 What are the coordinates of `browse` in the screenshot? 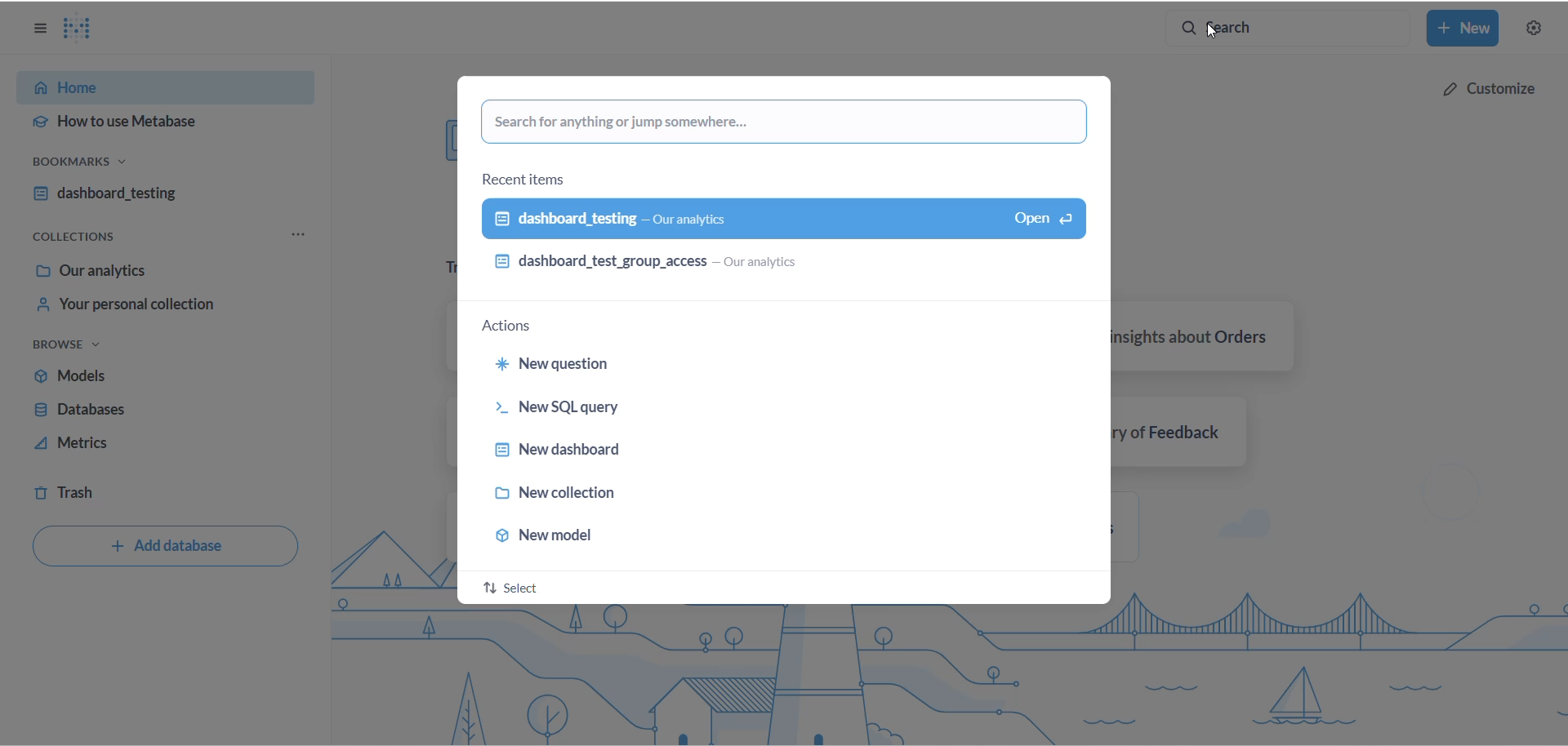 It's located at (81, 348).